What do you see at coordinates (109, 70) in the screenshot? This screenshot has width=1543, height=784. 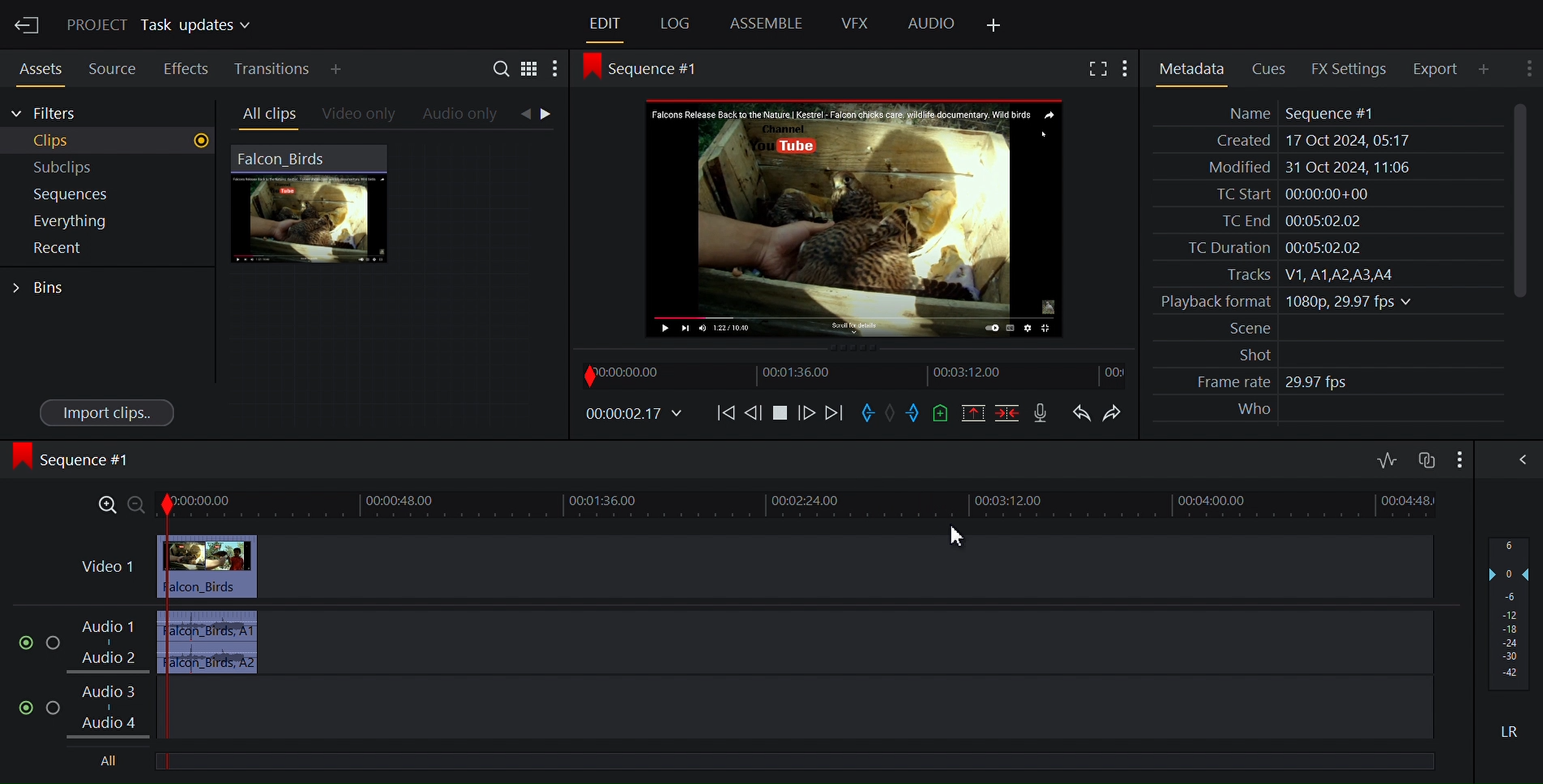 I see `Sources` at bounding box center [109, 70].